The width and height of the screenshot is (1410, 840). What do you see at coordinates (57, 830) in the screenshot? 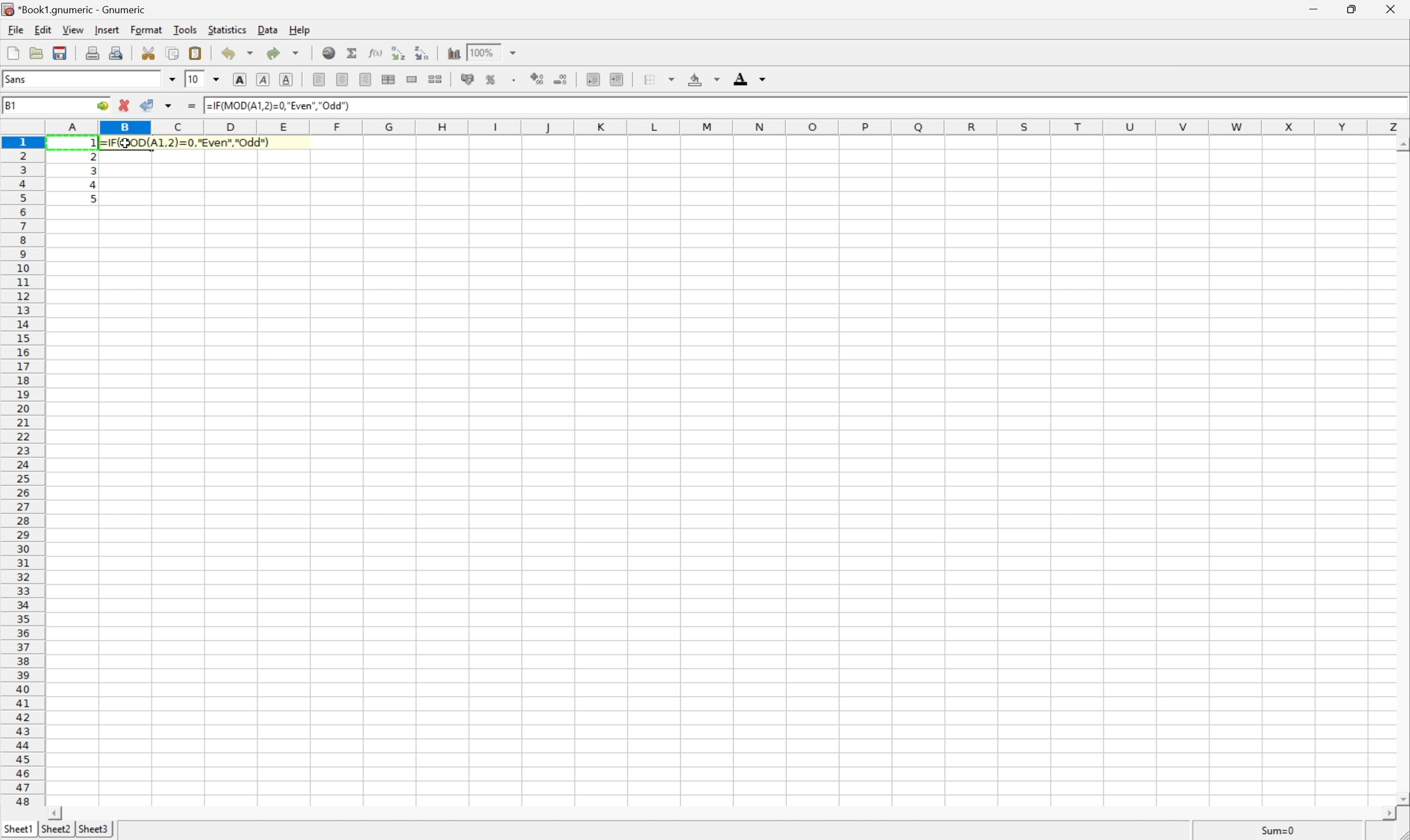
I see `Sheet2` at bounding box center [57, 830].